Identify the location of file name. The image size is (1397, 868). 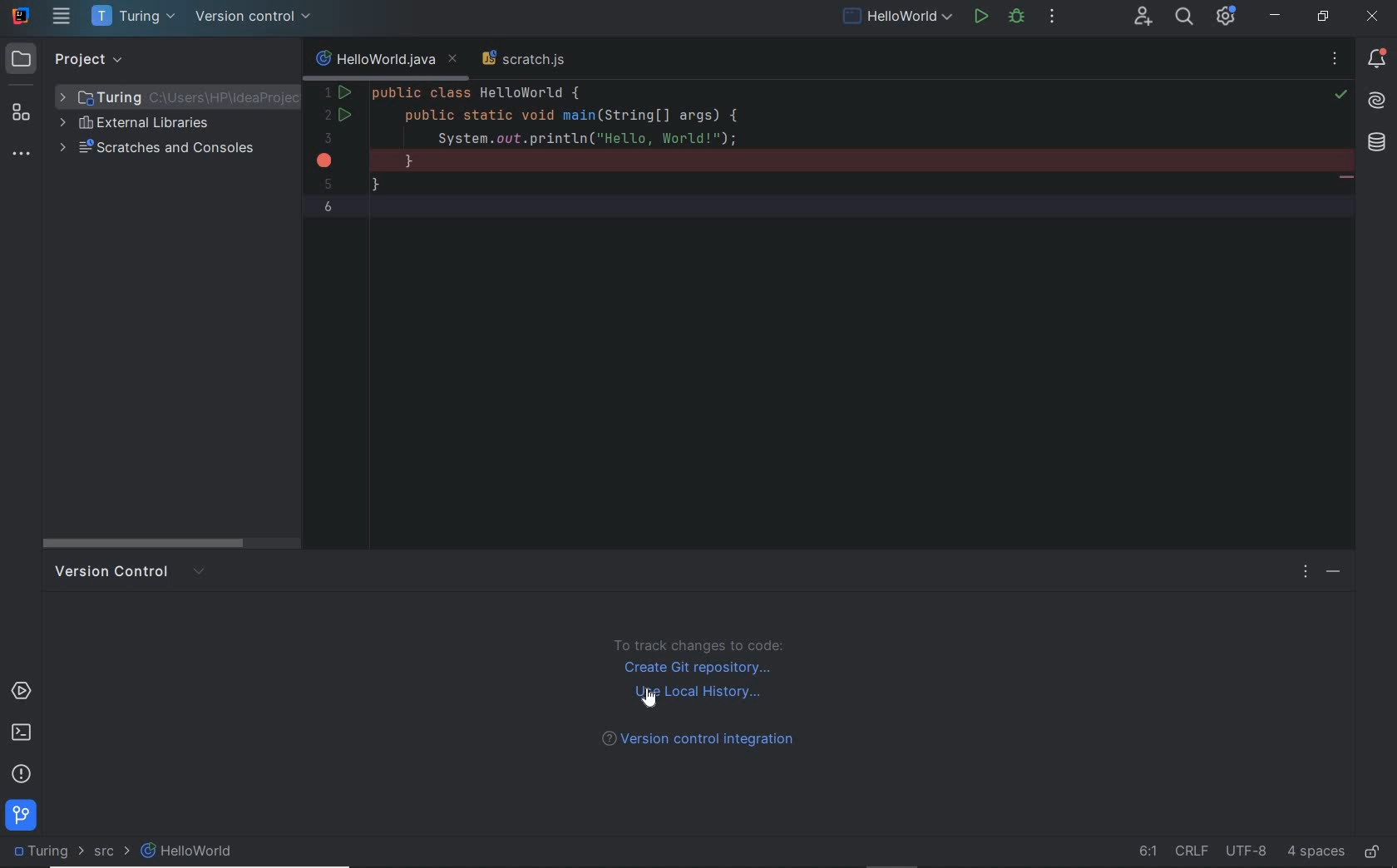
(185, 853).